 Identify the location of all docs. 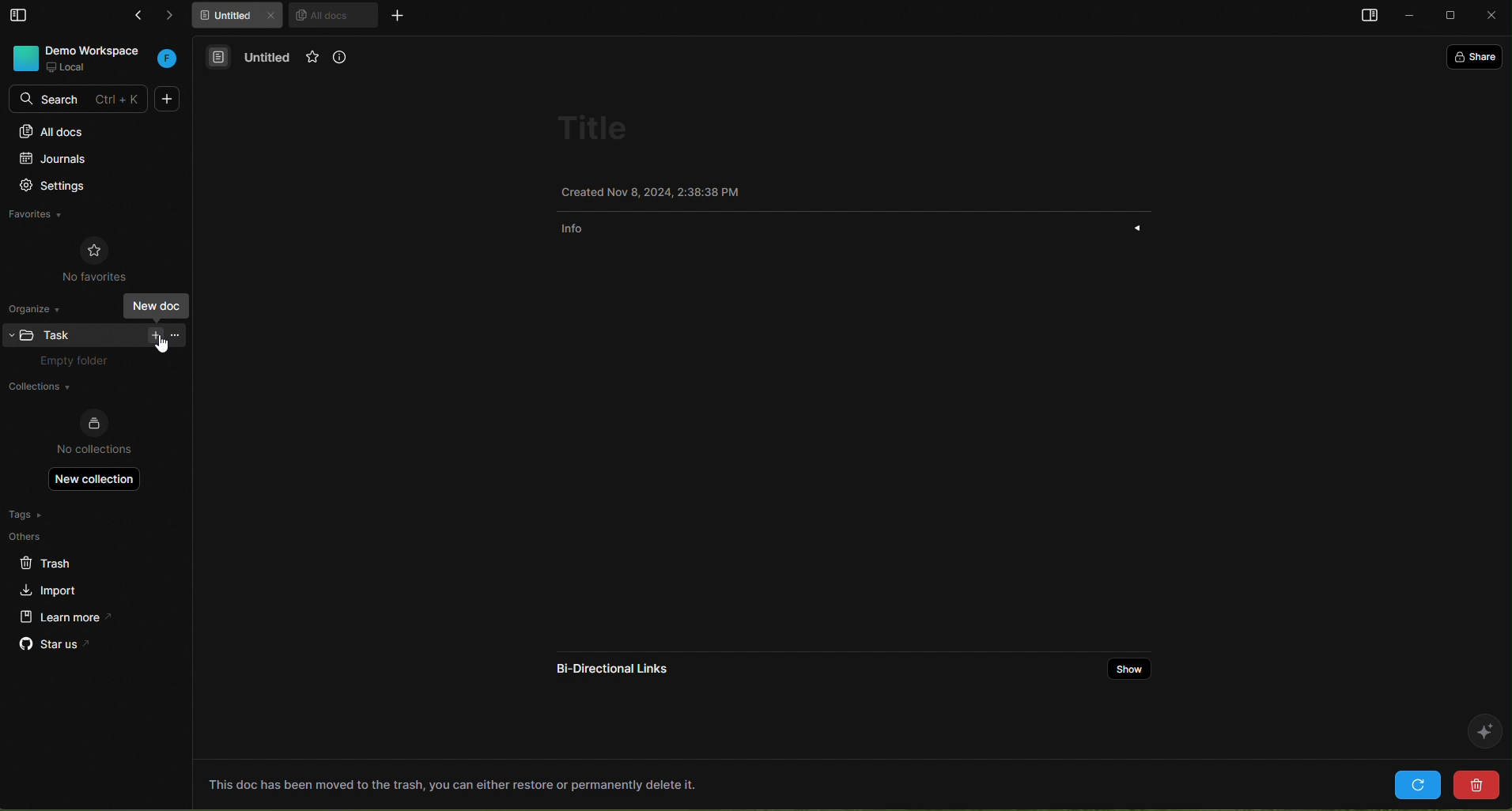
(332, 14).